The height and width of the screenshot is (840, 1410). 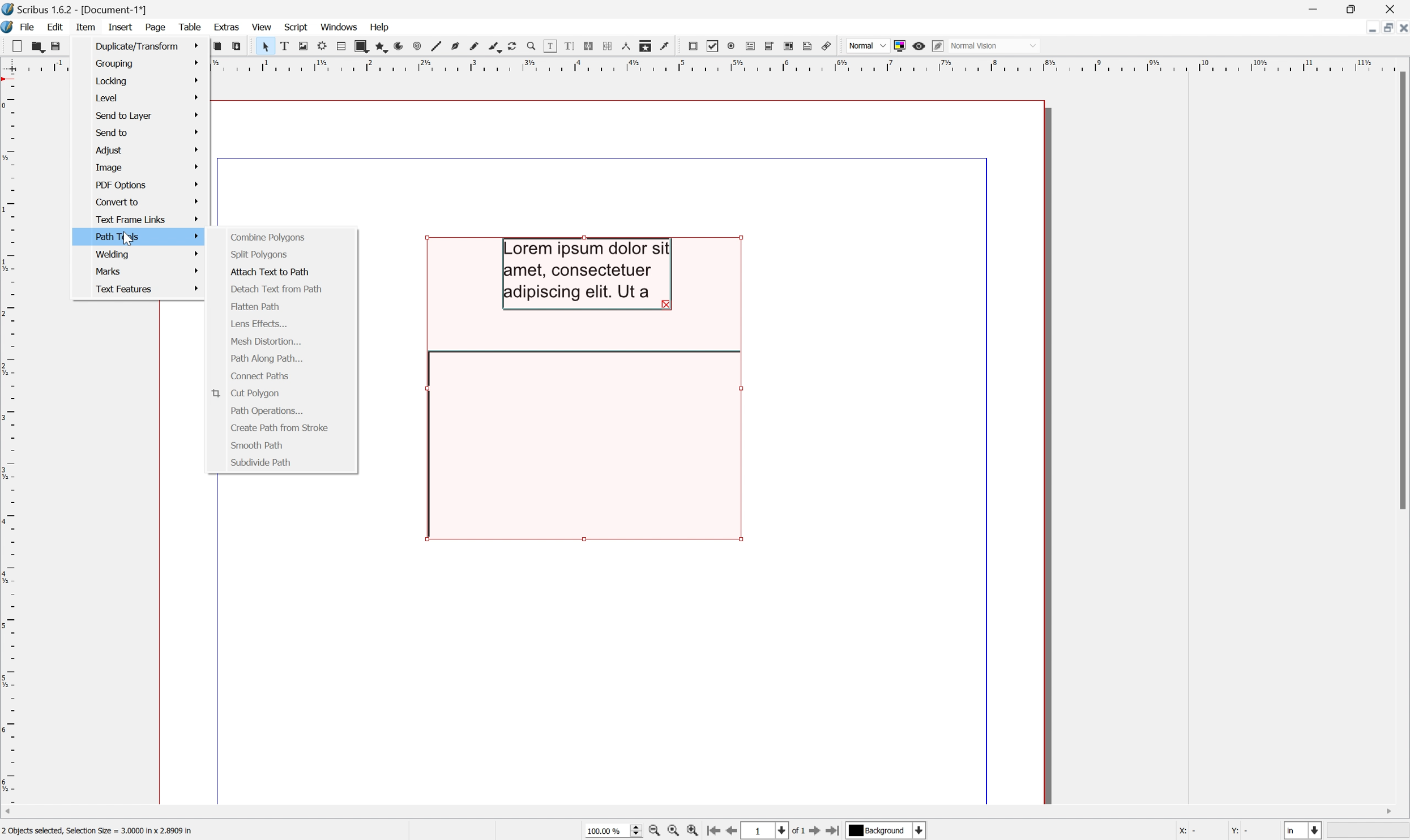 I want to click on Edit contents of frame, so click(x=549, y=45).